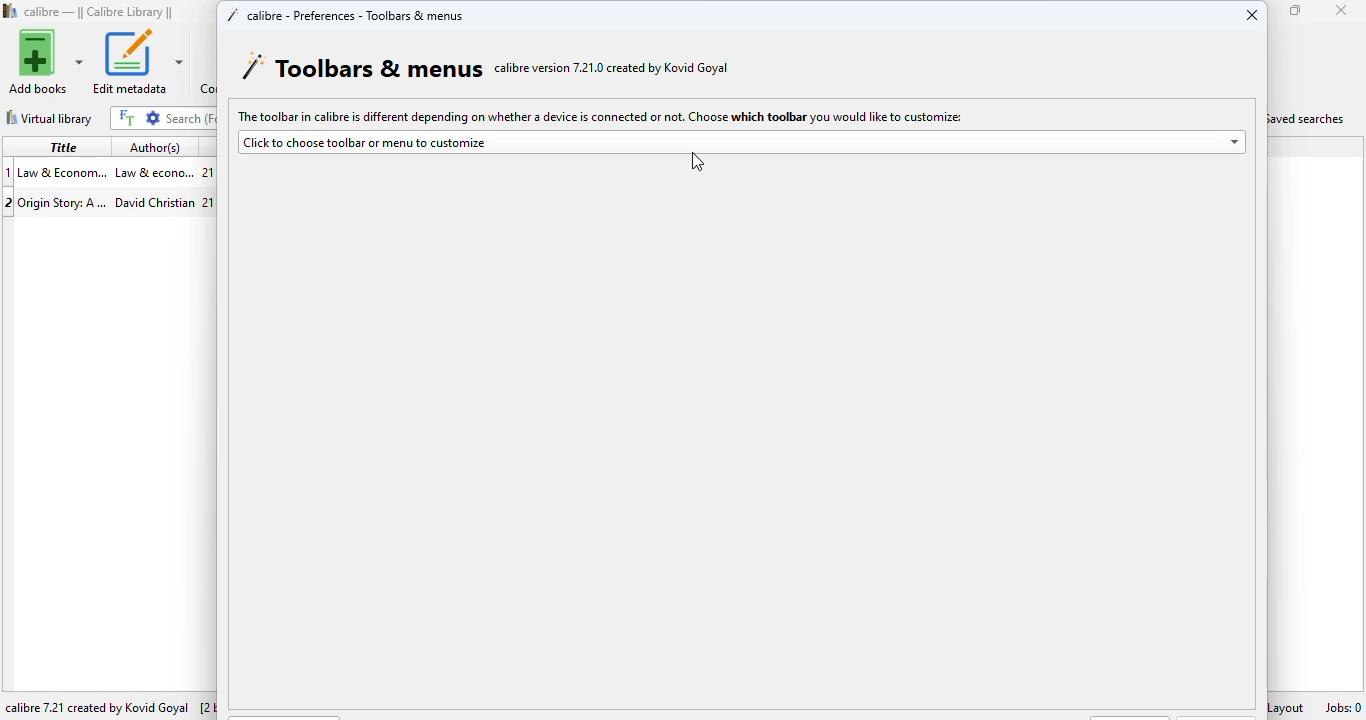  Describe the element at coordinates (100, 12) in the screenshot. I see `calibre library` at that location.